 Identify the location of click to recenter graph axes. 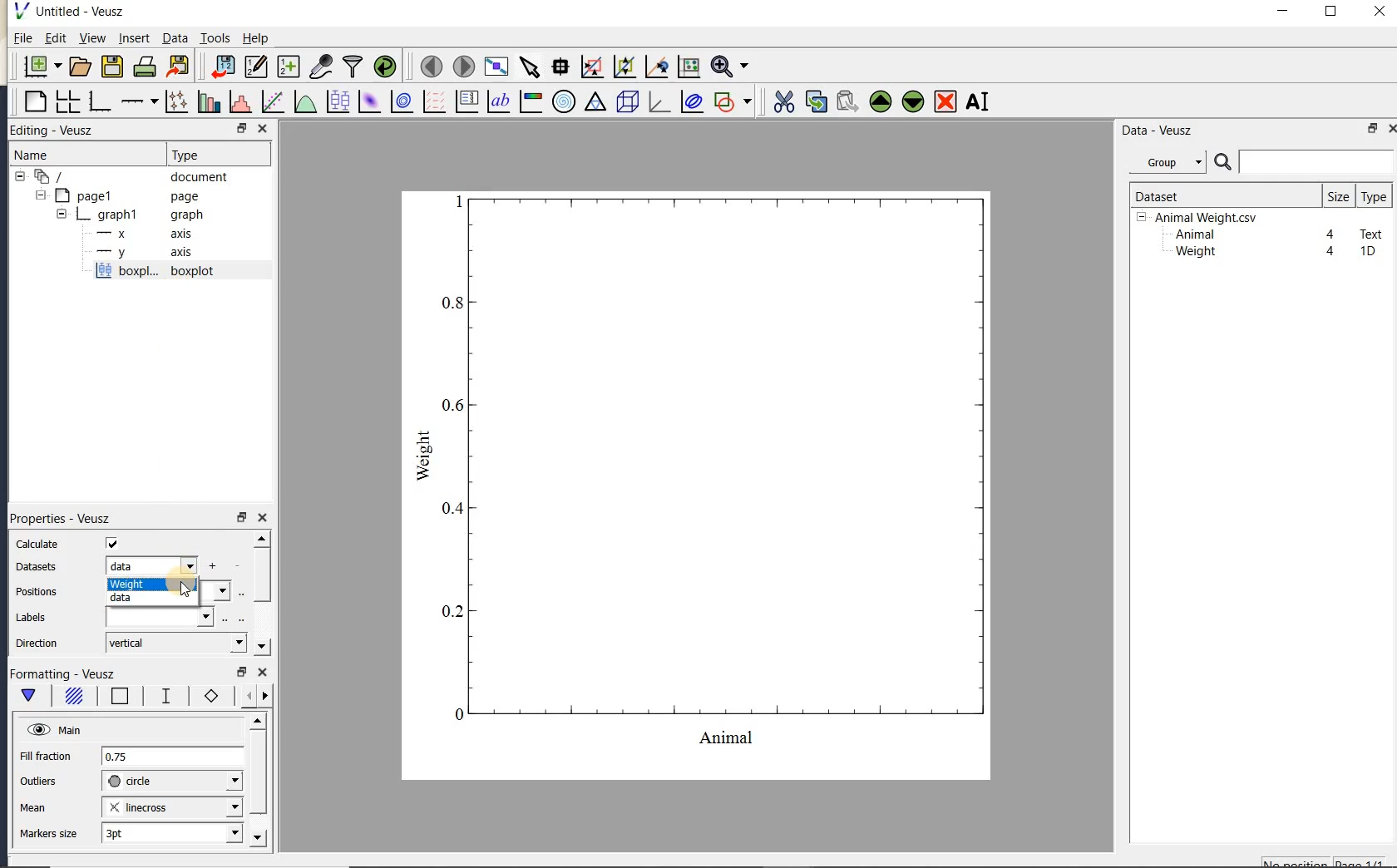
(657, 67).